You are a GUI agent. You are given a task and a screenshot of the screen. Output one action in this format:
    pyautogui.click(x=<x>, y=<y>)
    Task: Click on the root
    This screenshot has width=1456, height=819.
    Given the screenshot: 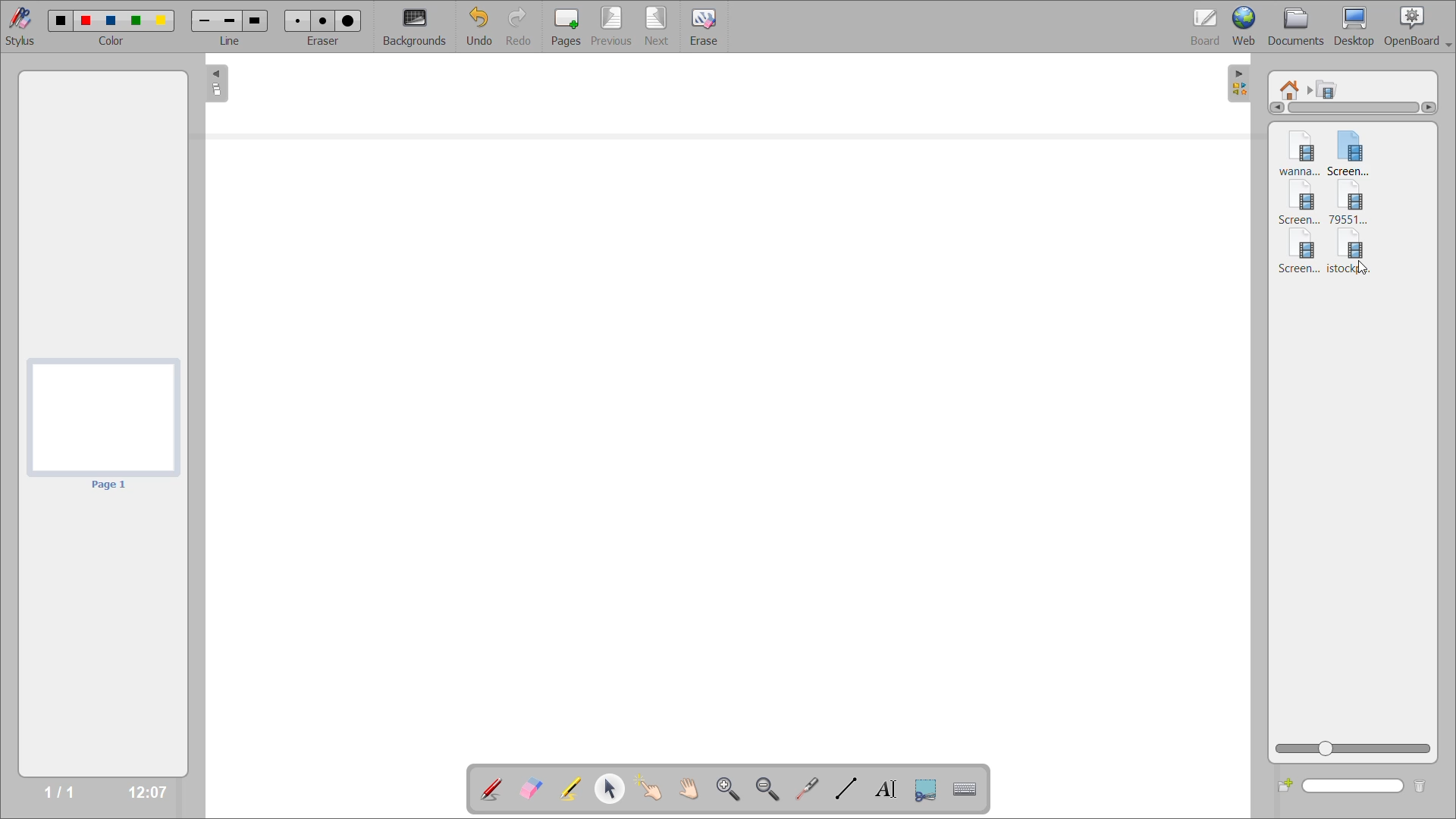 What is the action you would take?
    pyautogui.click(x=1293, y=86)
    